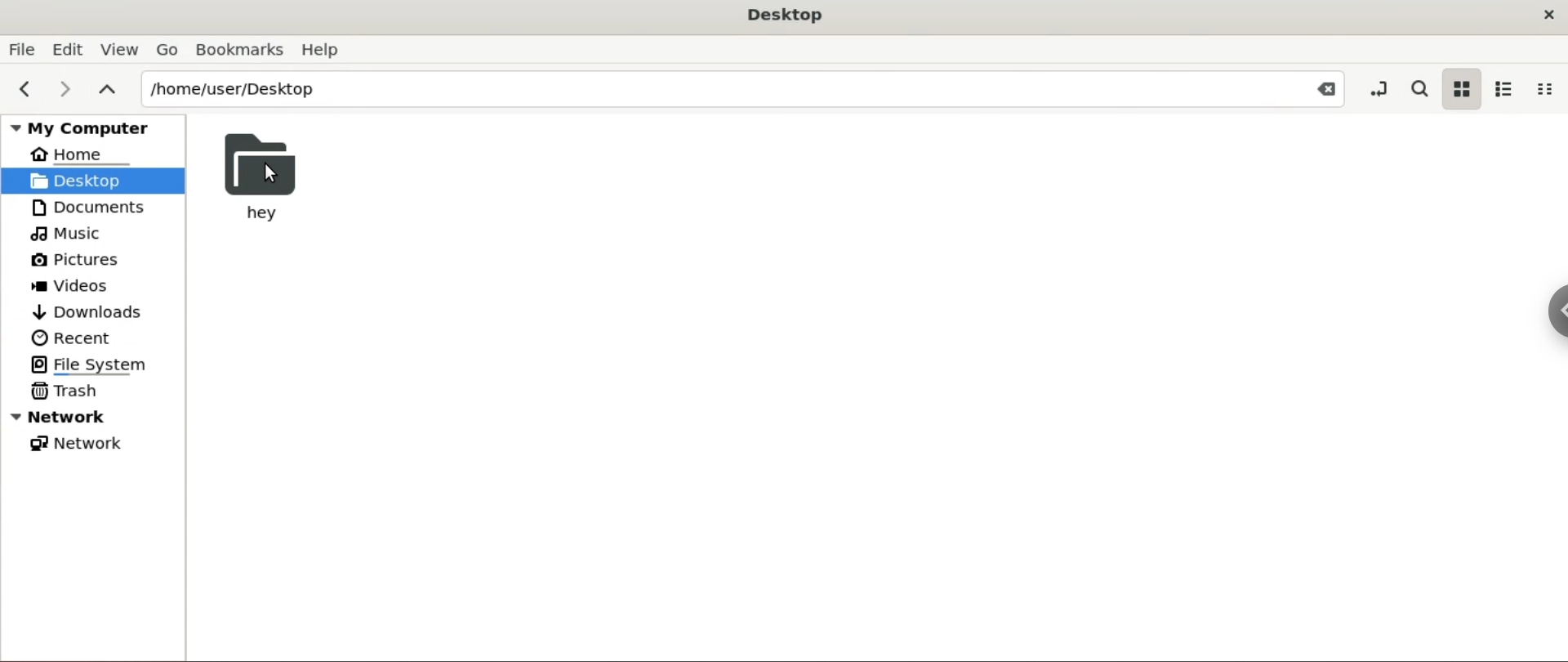  What do you see at coordinates (73, 391) in the screenshot?
I see `Trash` at bounding box center [73, 391].